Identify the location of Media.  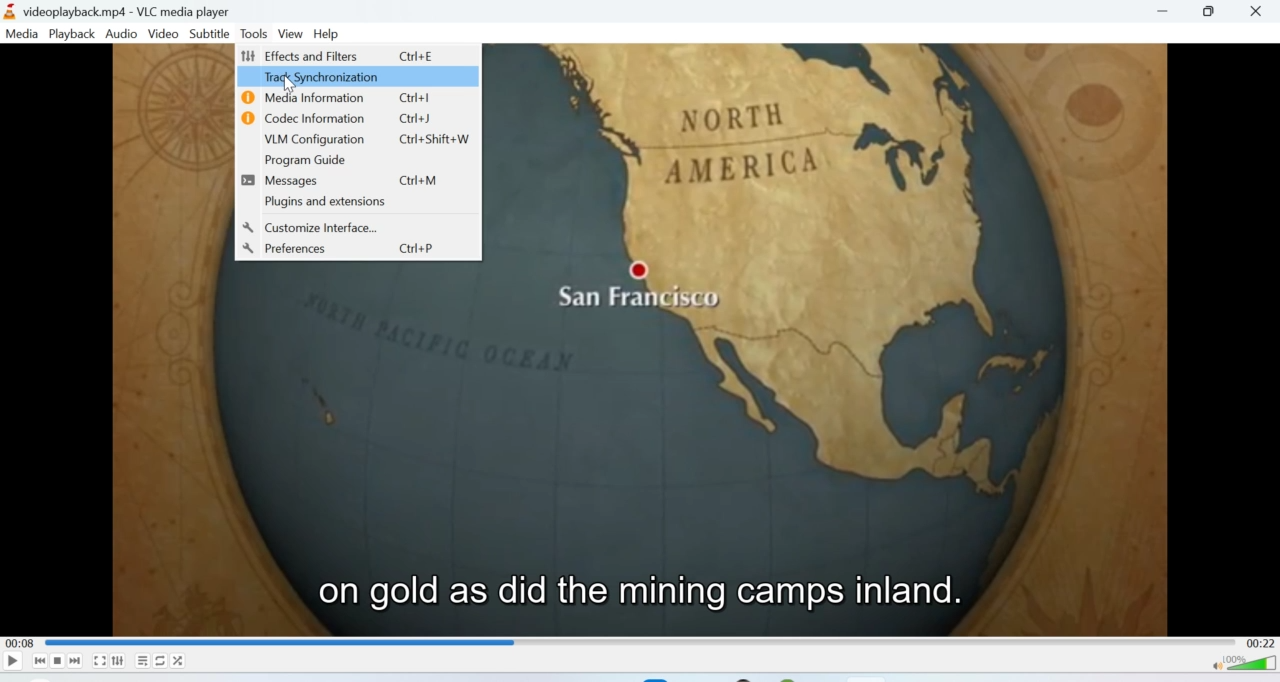
(22, 33).